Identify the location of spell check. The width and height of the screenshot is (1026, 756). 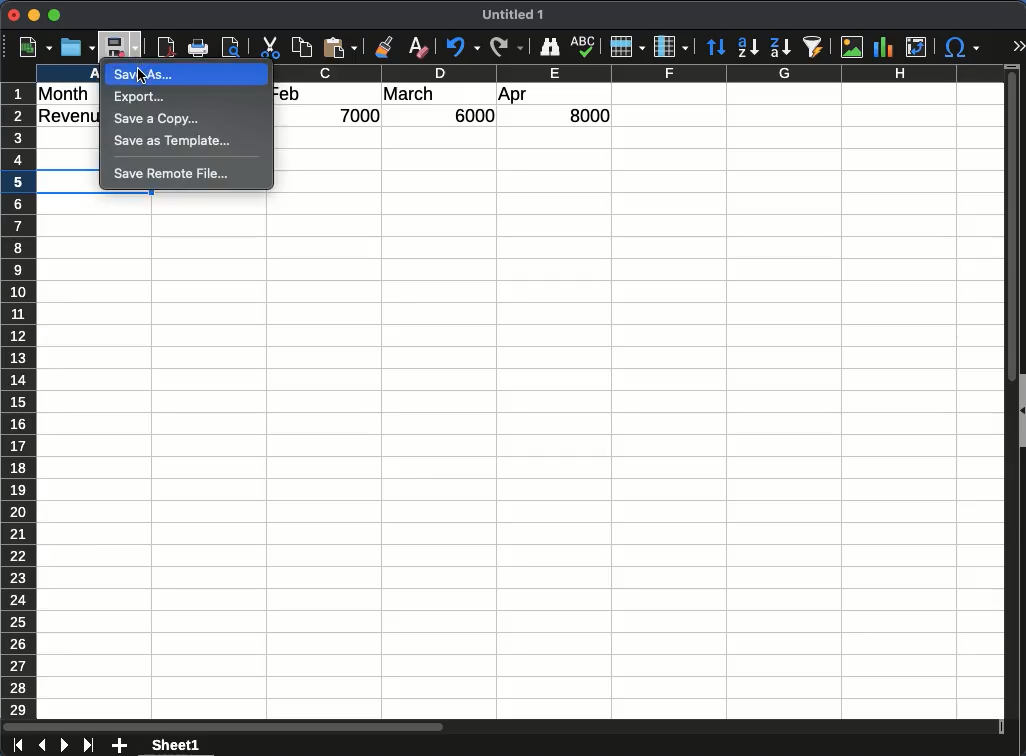
(584, 48).